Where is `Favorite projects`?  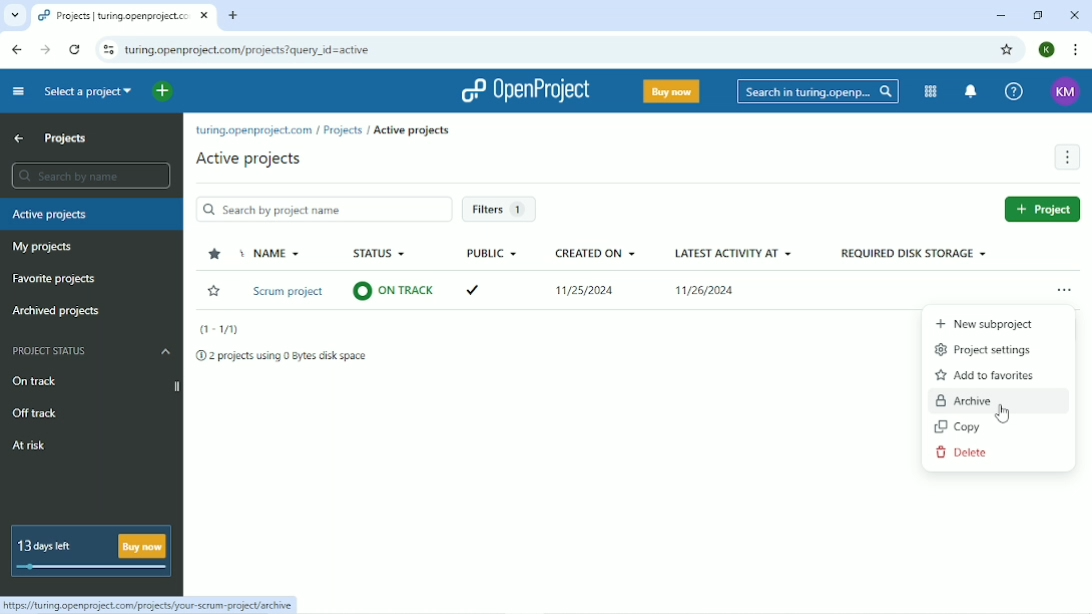 Favorite projects is located at coordinates (53, 278).